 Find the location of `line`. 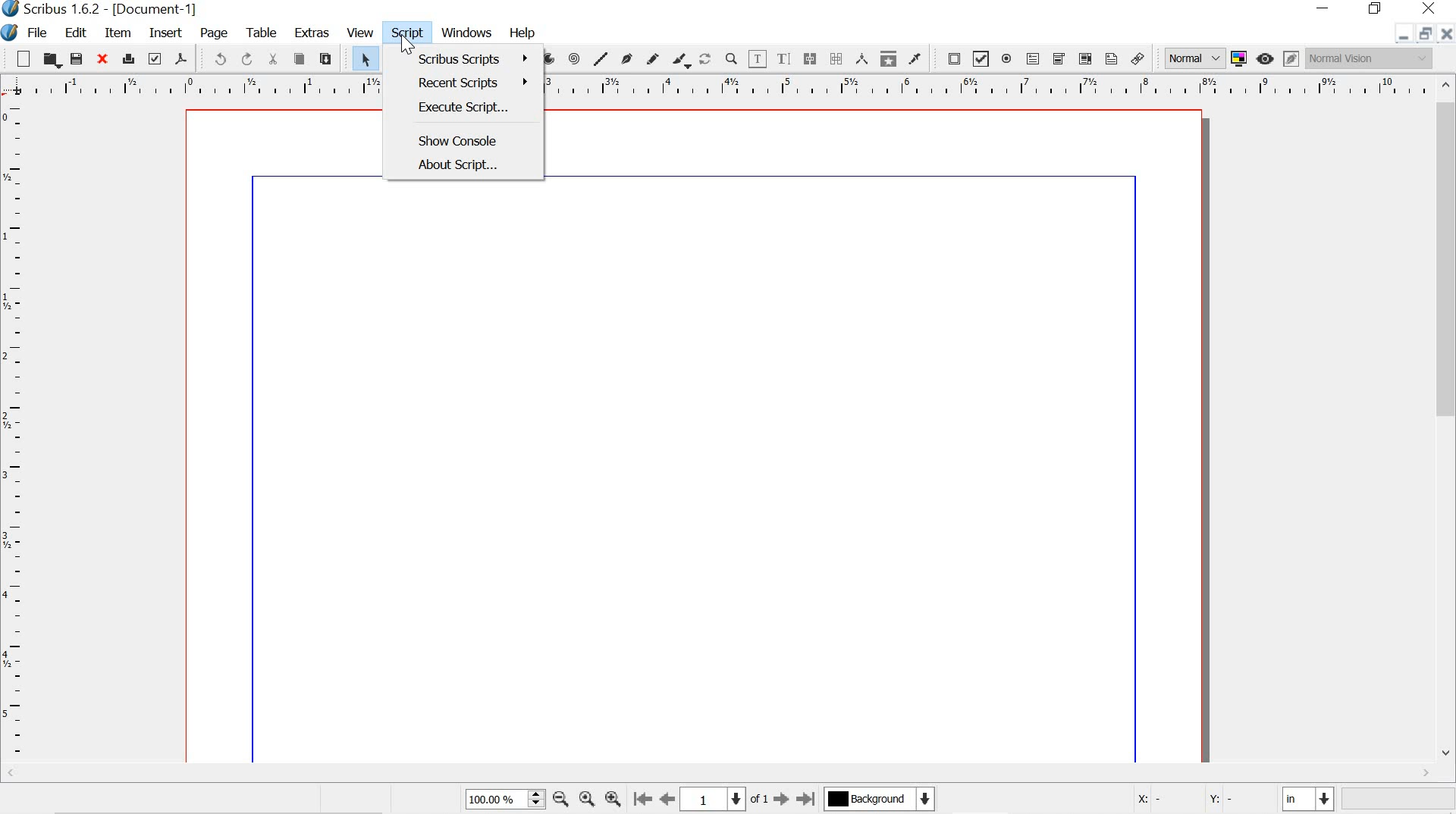

line is located at coordinates (600, 58).